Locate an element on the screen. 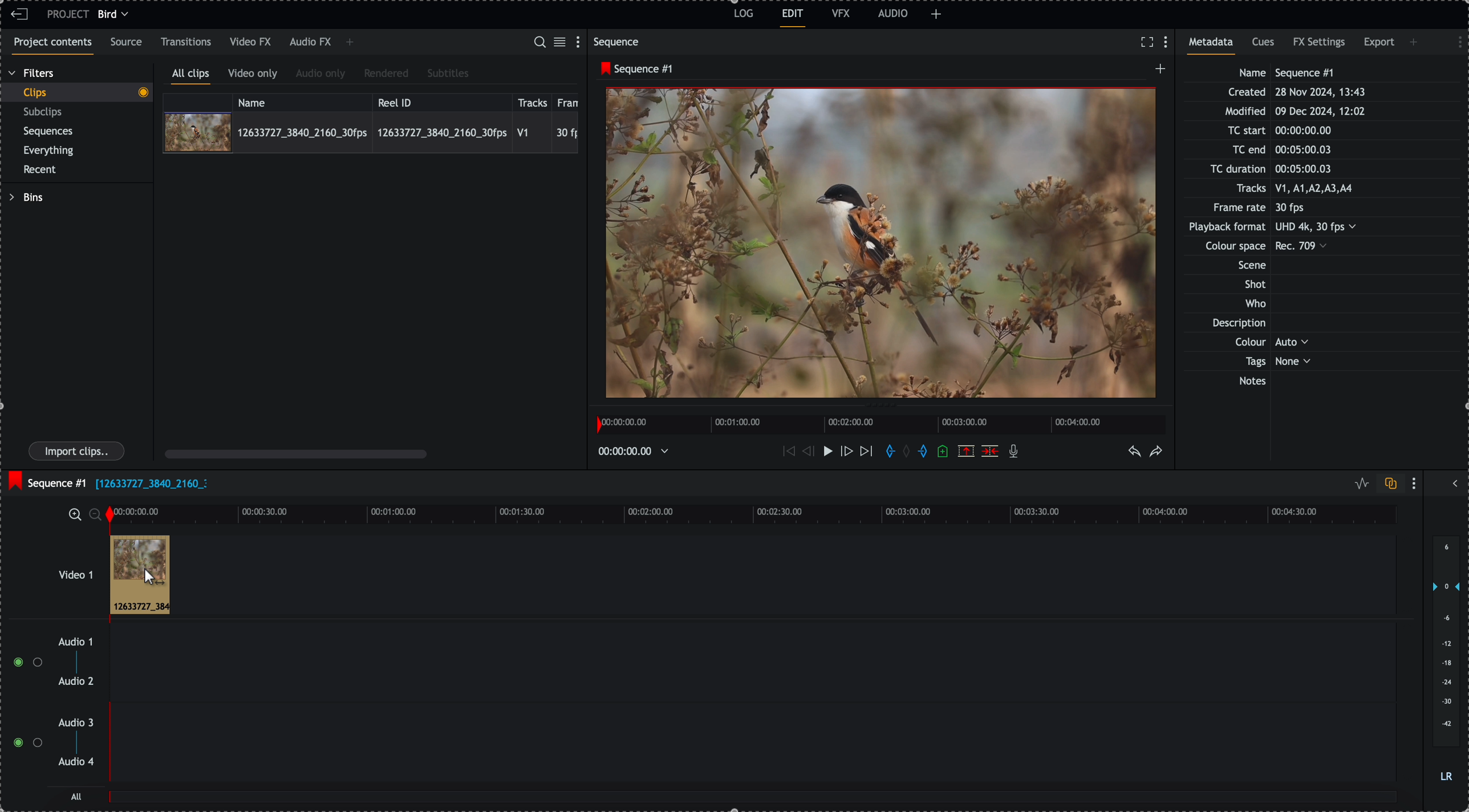 The height and width of the screenshot is (812, 1469). show settings menu is located at coordinates (1417, 483).